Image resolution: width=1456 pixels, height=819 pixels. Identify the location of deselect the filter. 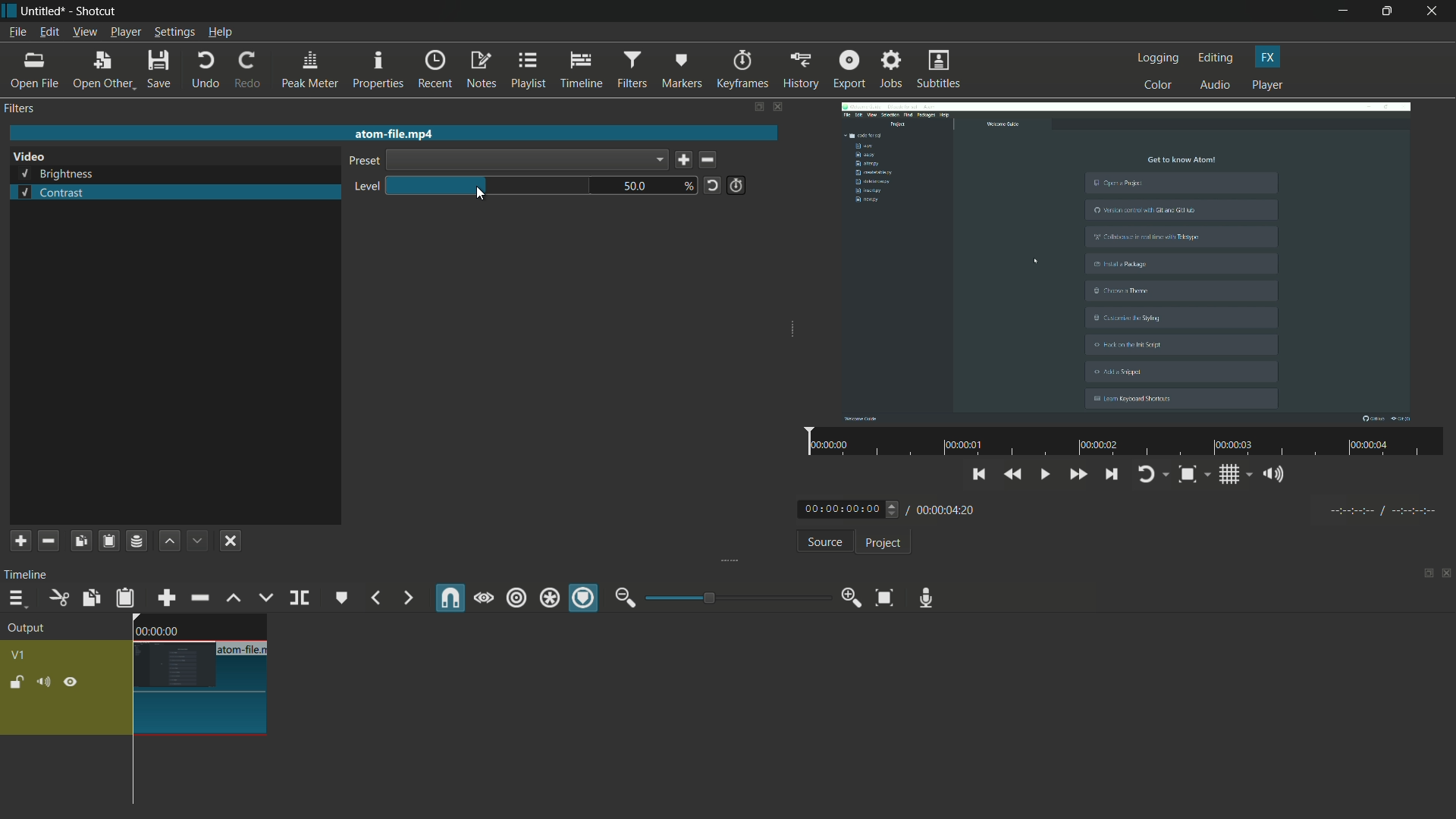
(231, 541).